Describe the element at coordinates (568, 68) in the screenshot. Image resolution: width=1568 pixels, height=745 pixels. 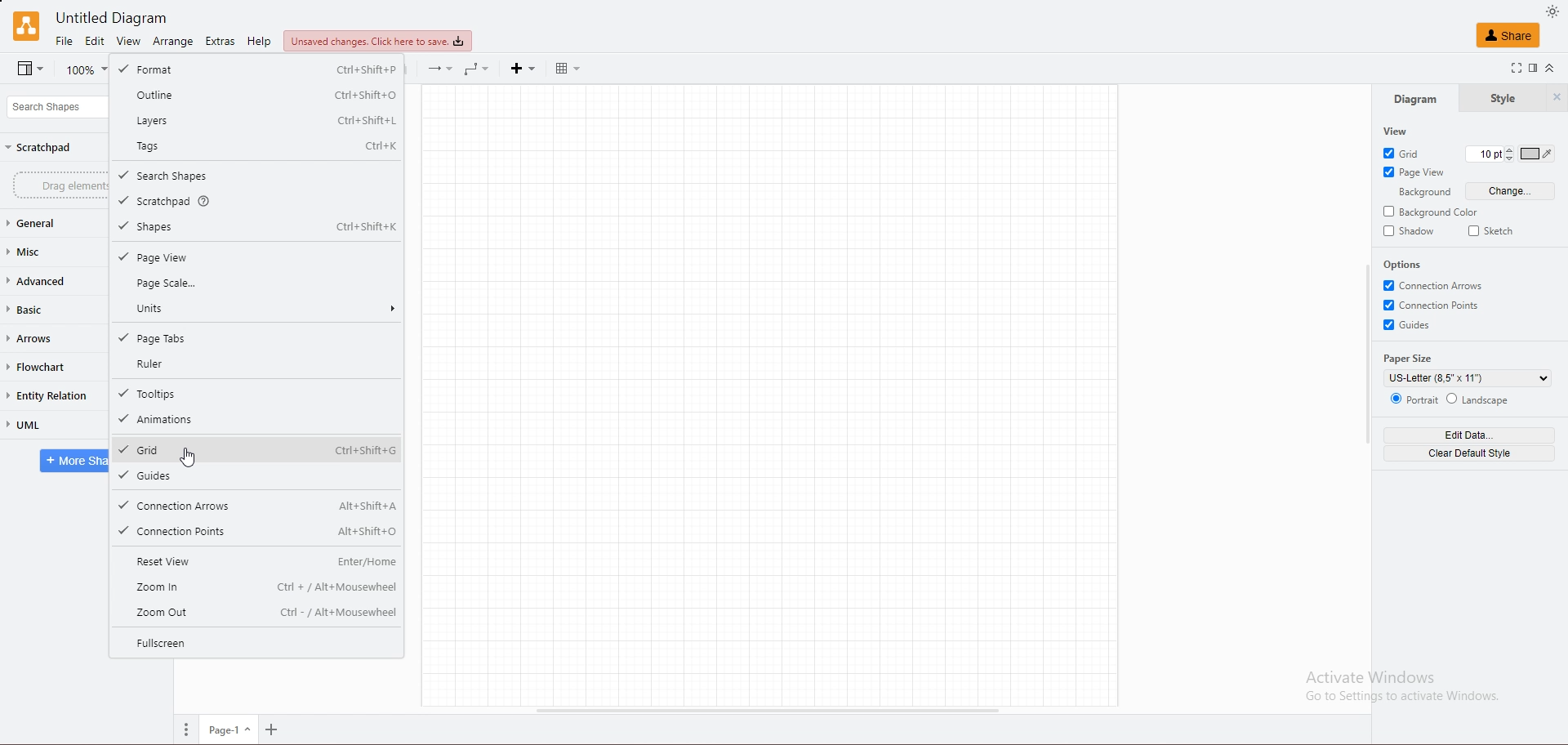
I see `table` at that location.